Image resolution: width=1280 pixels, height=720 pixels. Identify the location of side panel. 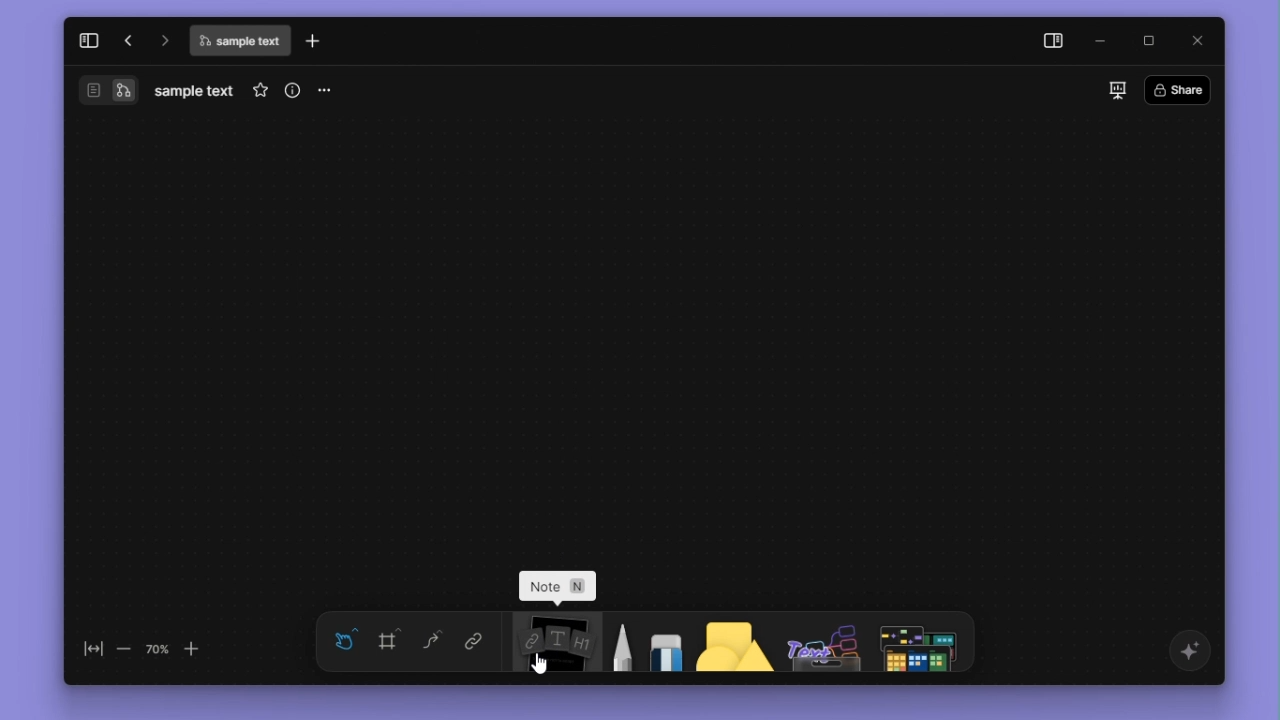
(1050, 41).